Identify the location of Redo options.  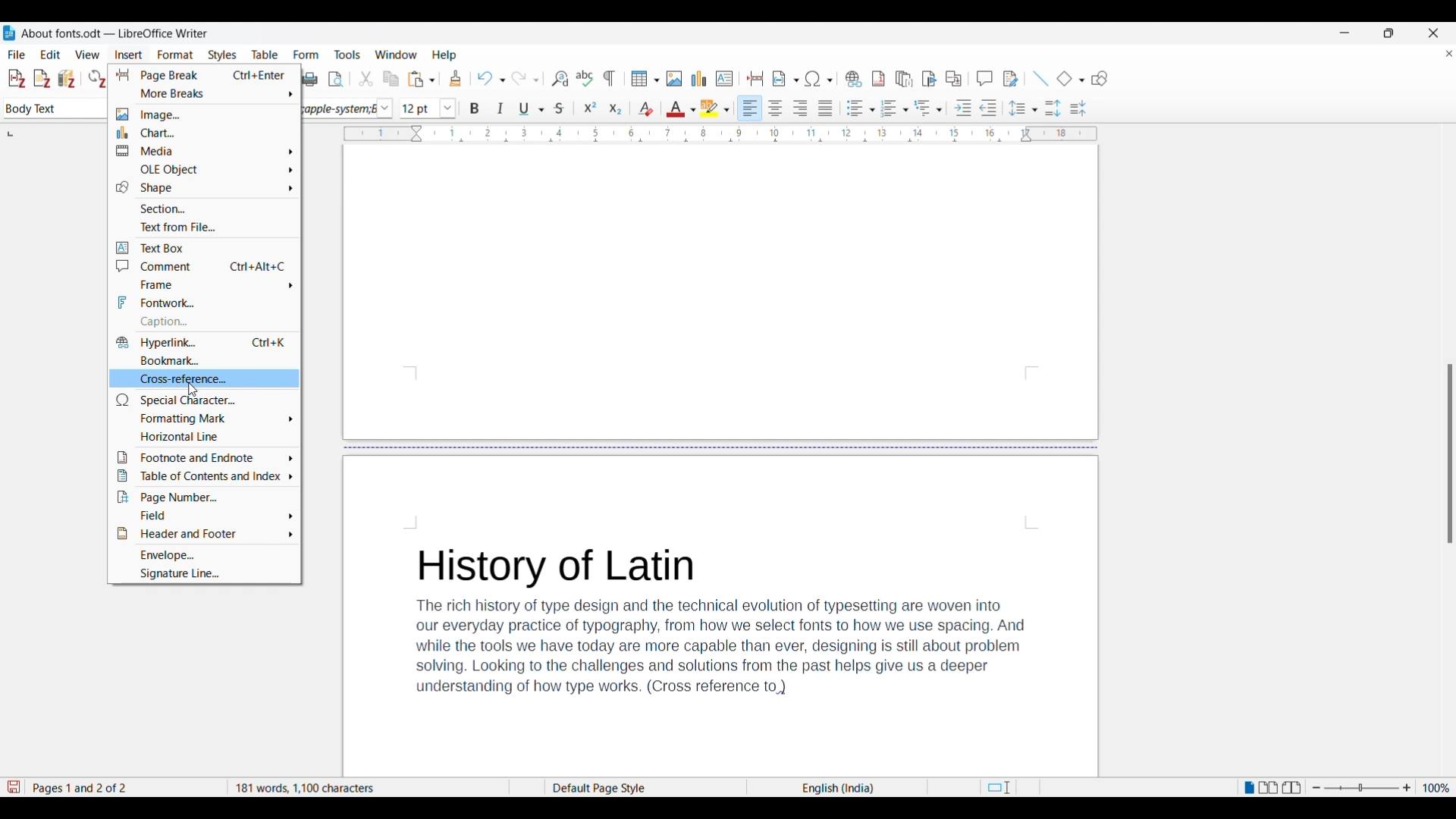
(525, 79).